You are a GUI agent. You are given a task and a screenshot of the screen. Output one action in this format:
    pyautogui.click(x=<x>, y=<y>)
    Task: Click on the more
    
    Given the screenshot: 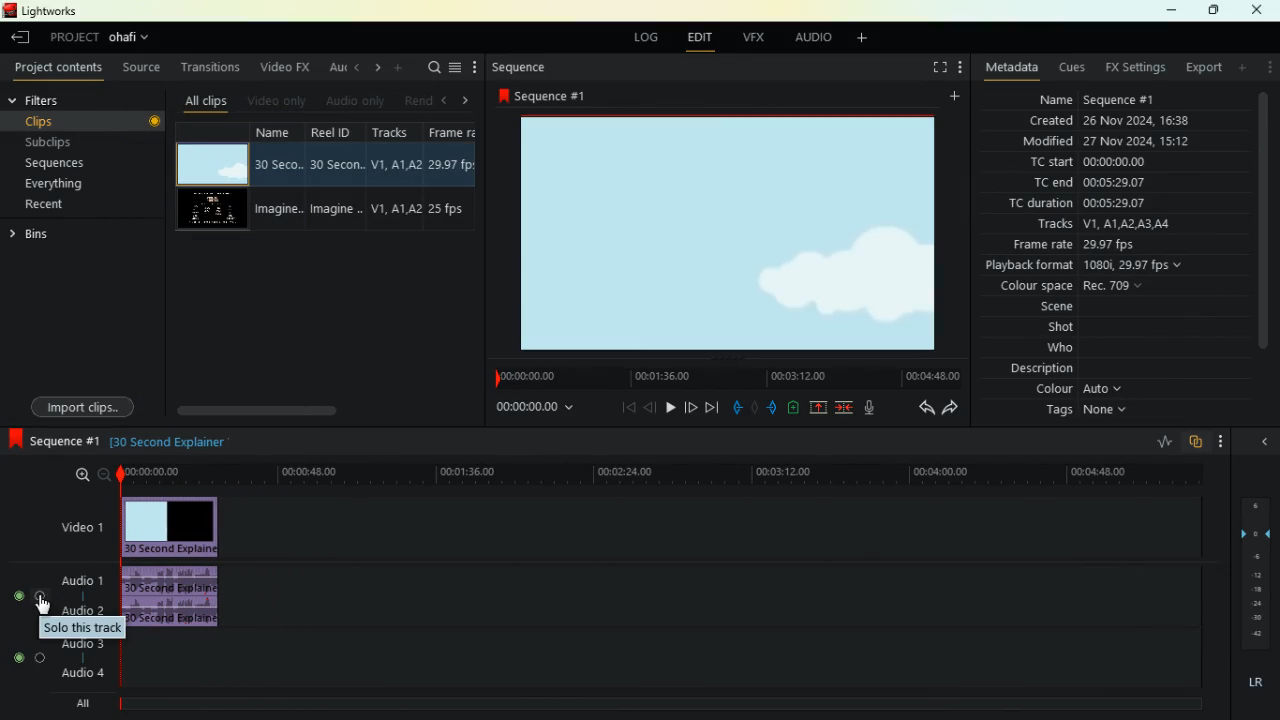 What is the action you would take?
    pyautogui.click(x=472, y=64)
    